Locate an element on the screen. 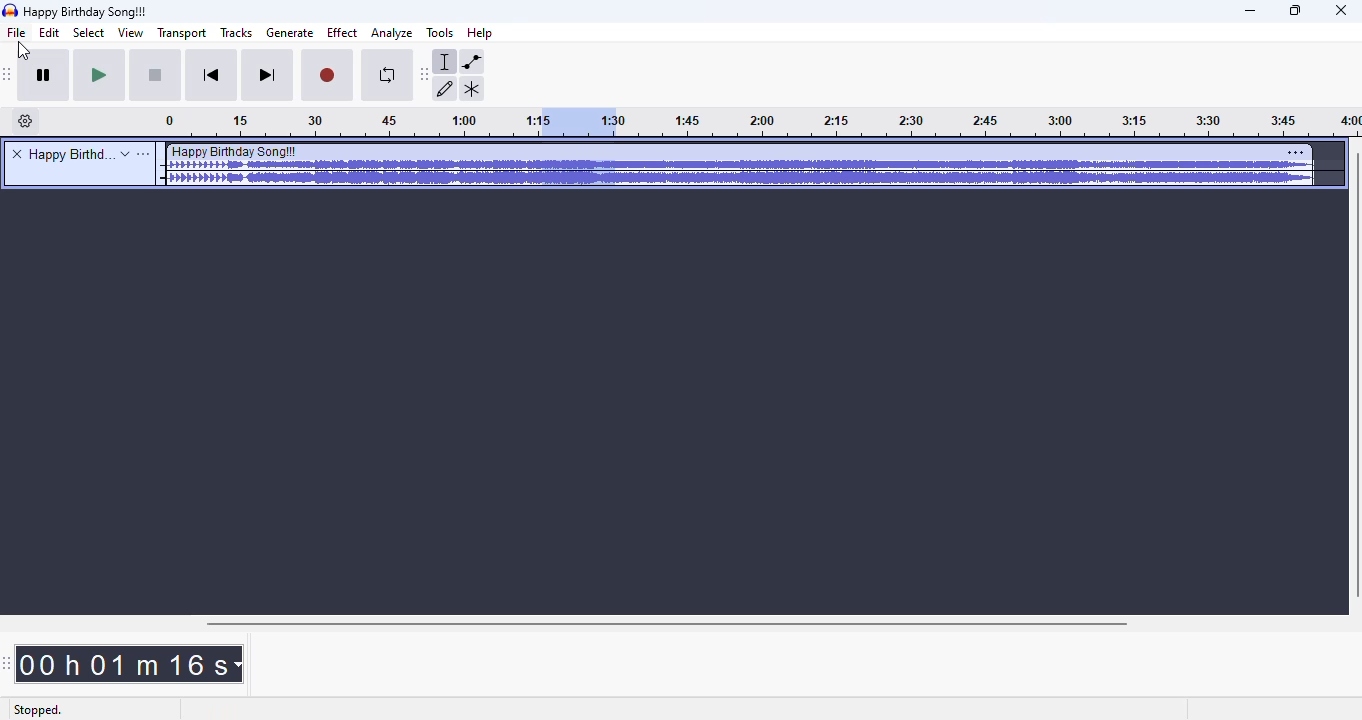 This screenshot has width=1362, height=720. skip to start is located at coordinates (214, 76).